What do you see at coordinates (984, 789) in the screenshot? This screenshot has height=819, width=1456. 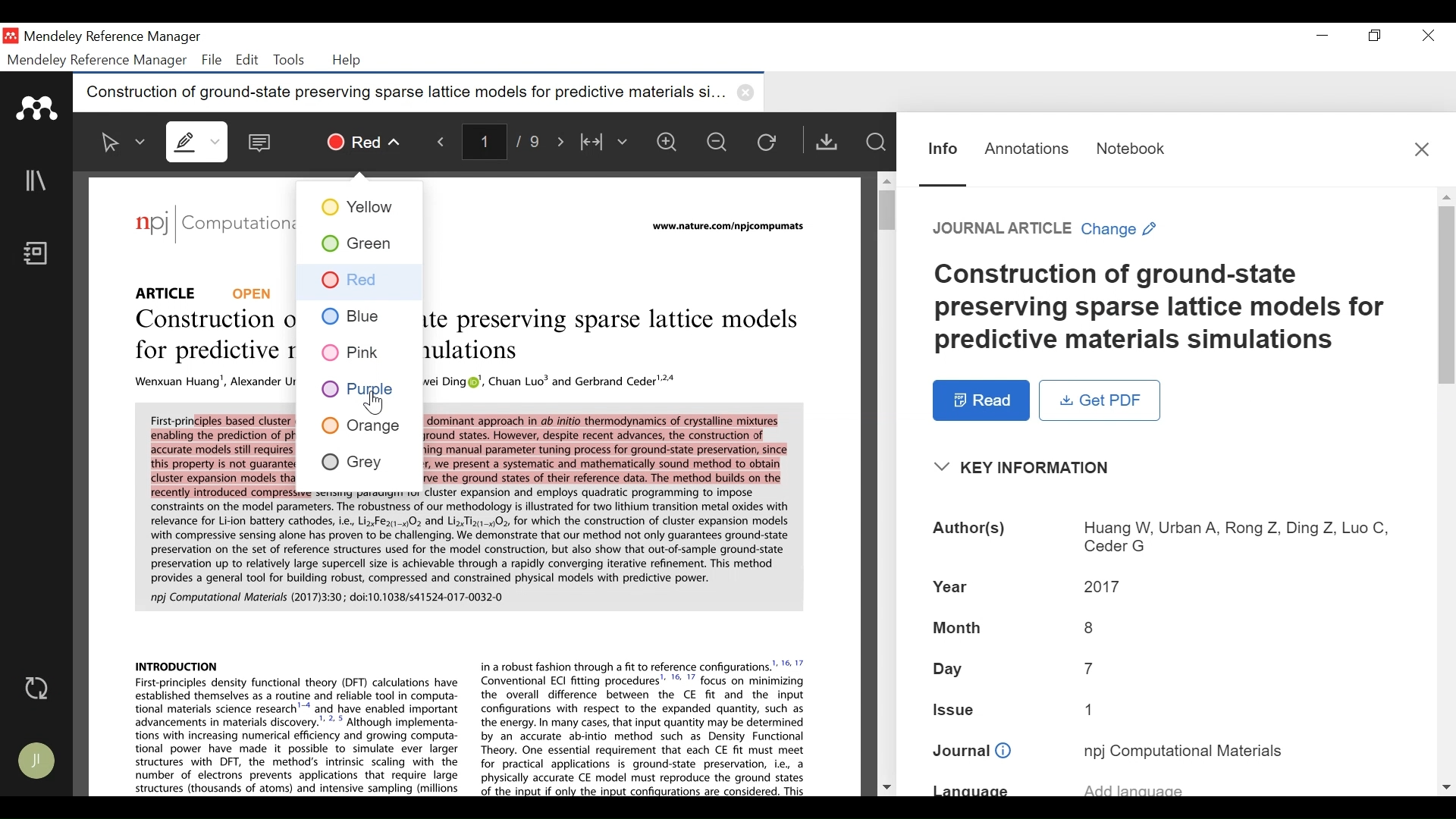 I see `Language` at bounding box center [984, 789].